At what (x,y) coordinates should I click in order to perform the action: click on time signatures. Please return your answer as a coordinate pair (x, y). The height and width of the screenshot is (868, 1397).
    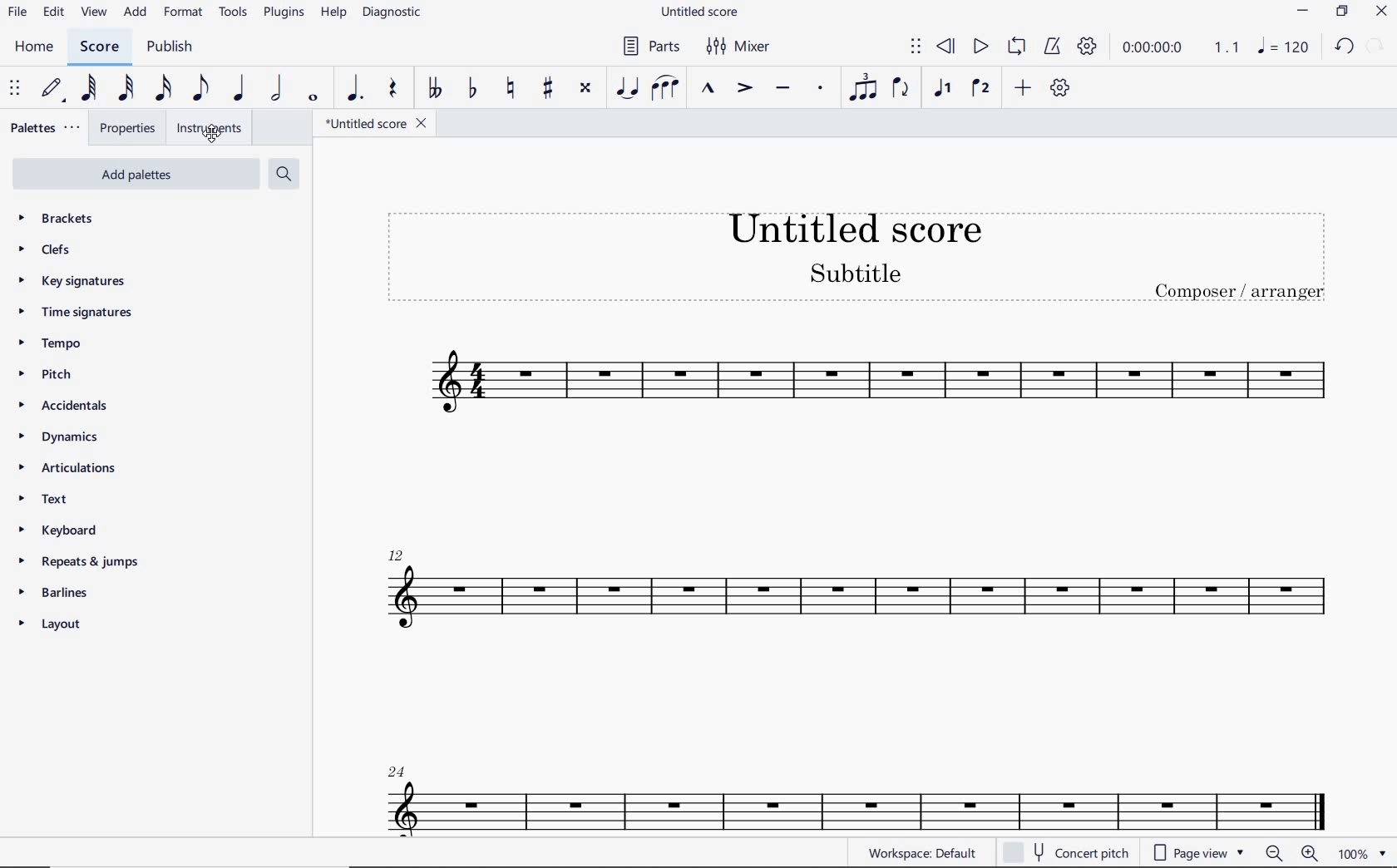
    Looking at the image, I should click on (80, 316).